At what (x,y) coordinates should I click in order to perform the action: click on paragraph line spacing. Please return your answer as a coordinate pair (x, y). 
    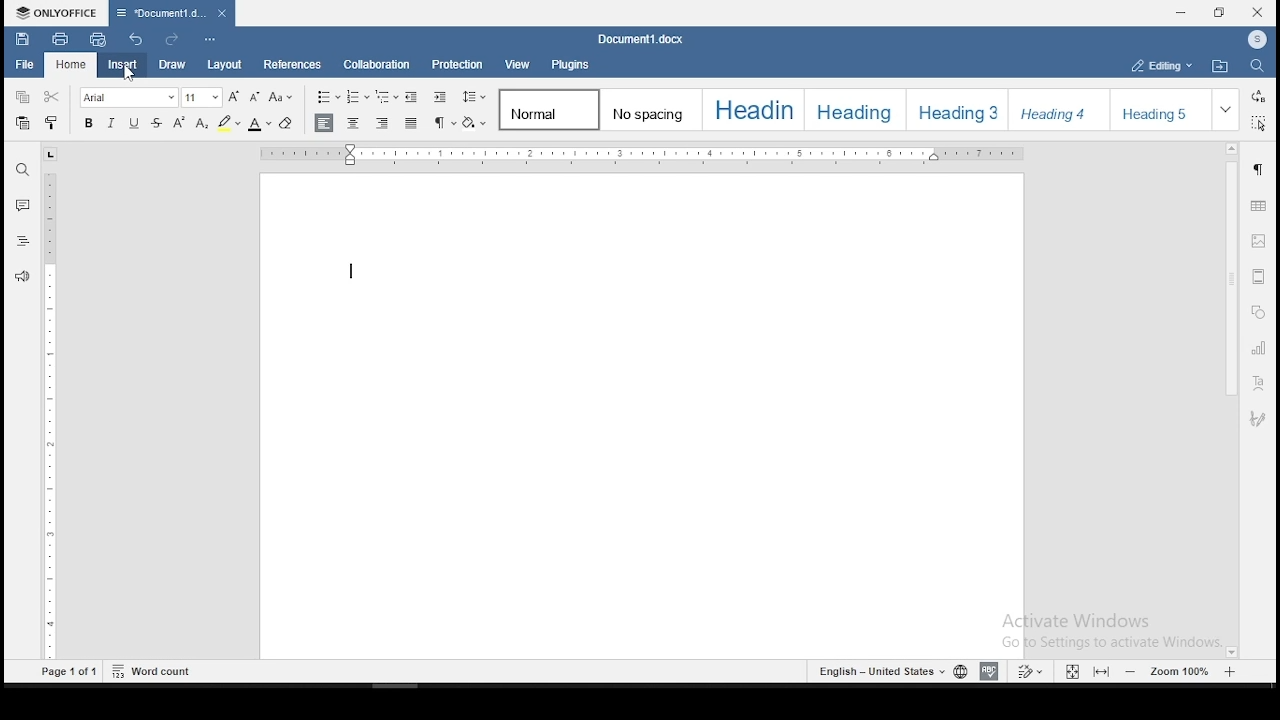
    Looking at the image, I should click on (475, 95).